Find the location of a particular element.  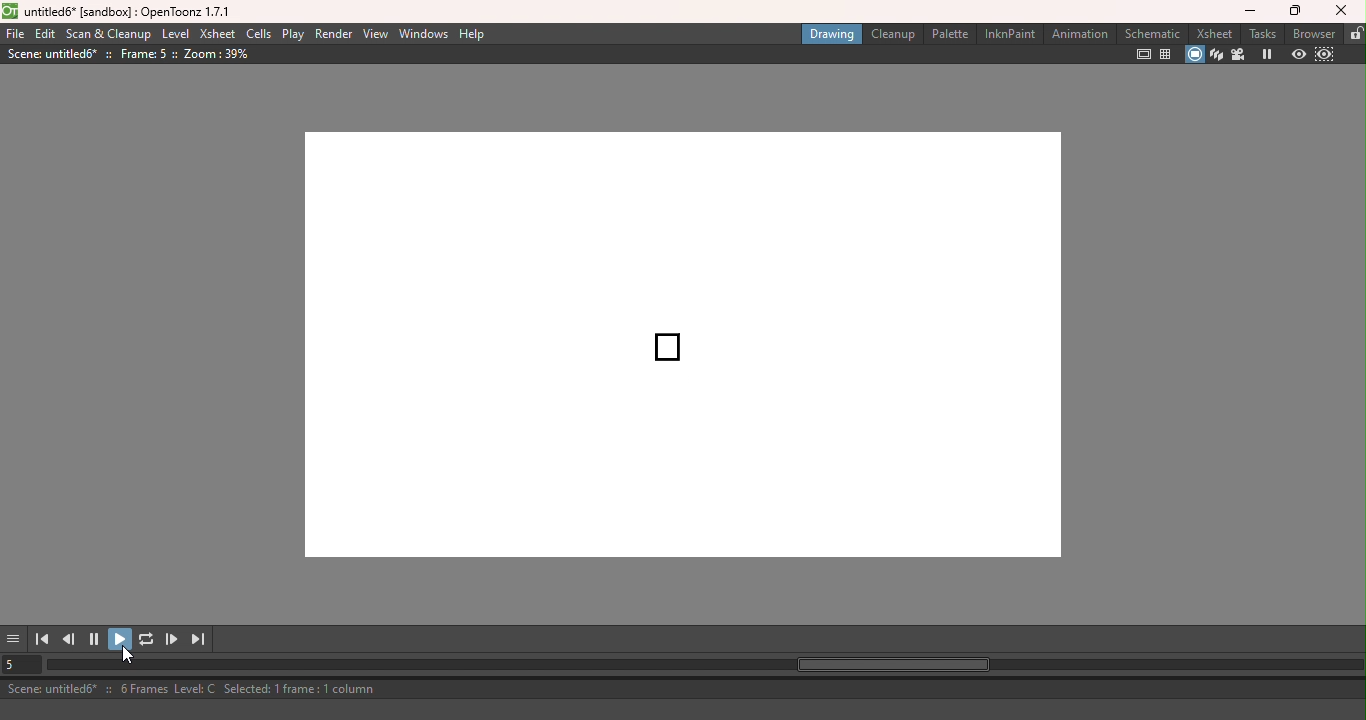

Preview is located at coordinates (1299, 55).